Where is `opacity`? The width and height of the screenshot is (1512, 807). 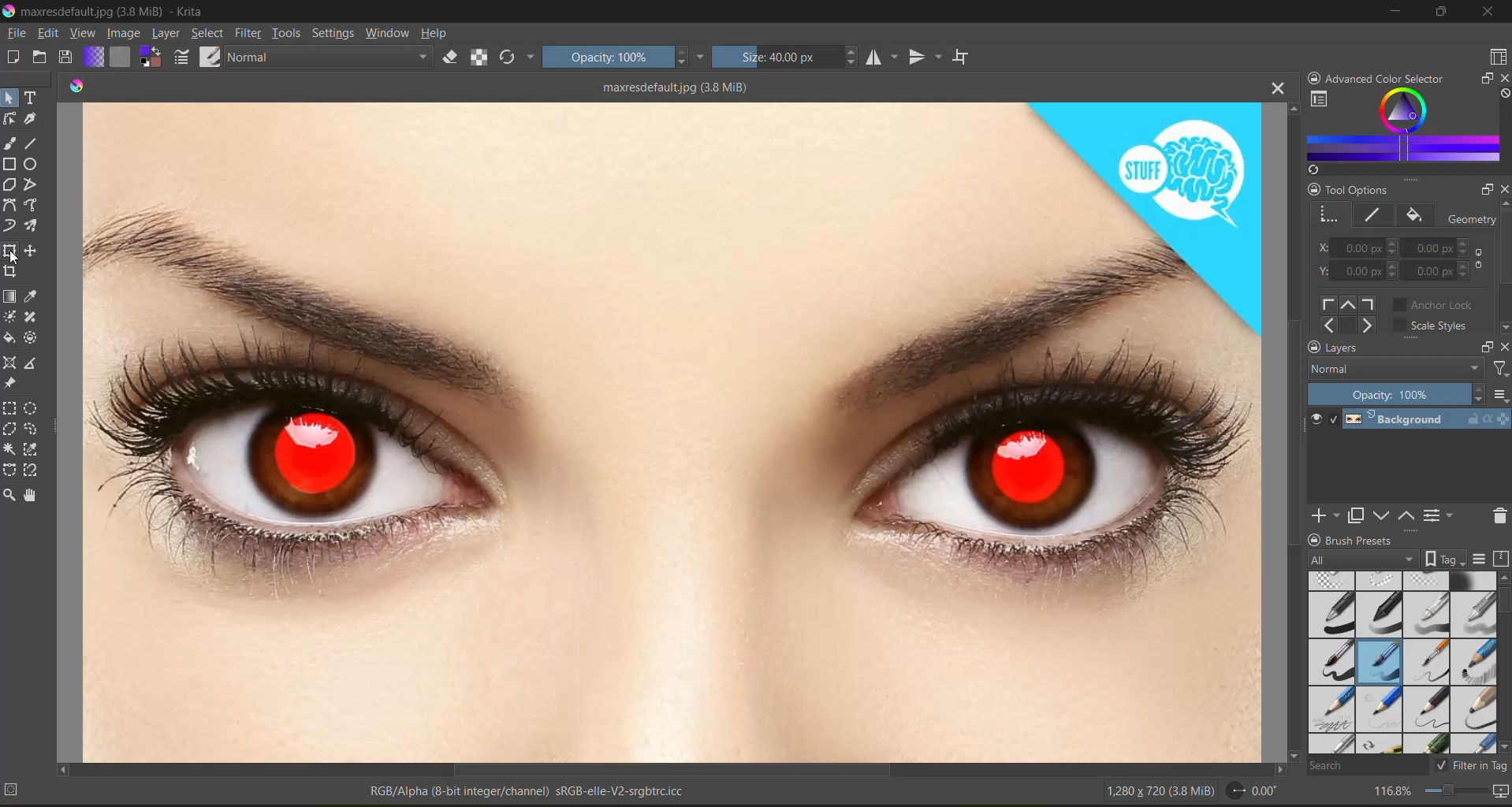
opacity is located at coordinates (1397, 393).